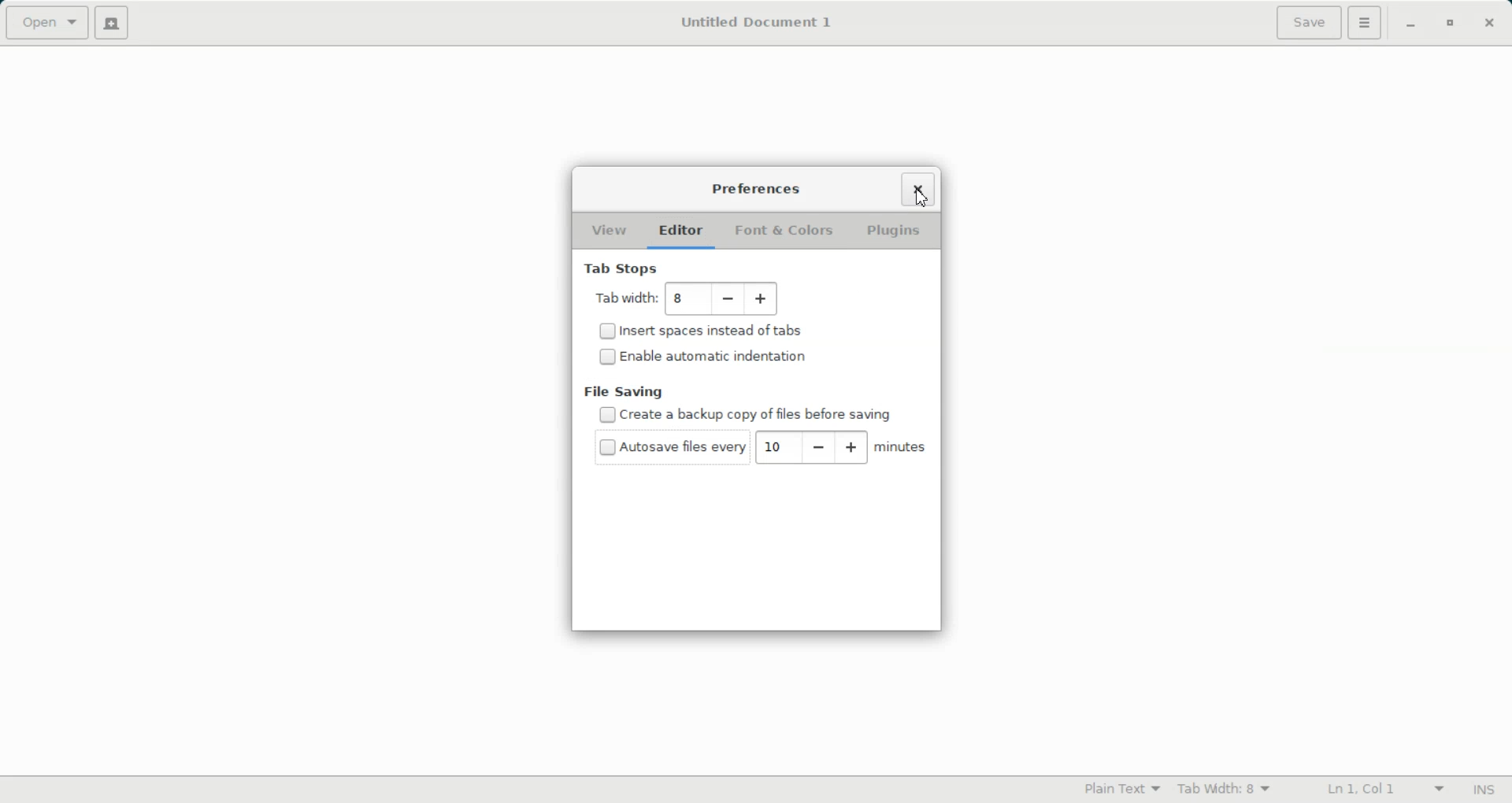 The height and width of the screenshot is (803, 1512). What do you see at coordinates (756, 190) in the screenshot?
I see `Preferences` at bounding box center [756, 190].